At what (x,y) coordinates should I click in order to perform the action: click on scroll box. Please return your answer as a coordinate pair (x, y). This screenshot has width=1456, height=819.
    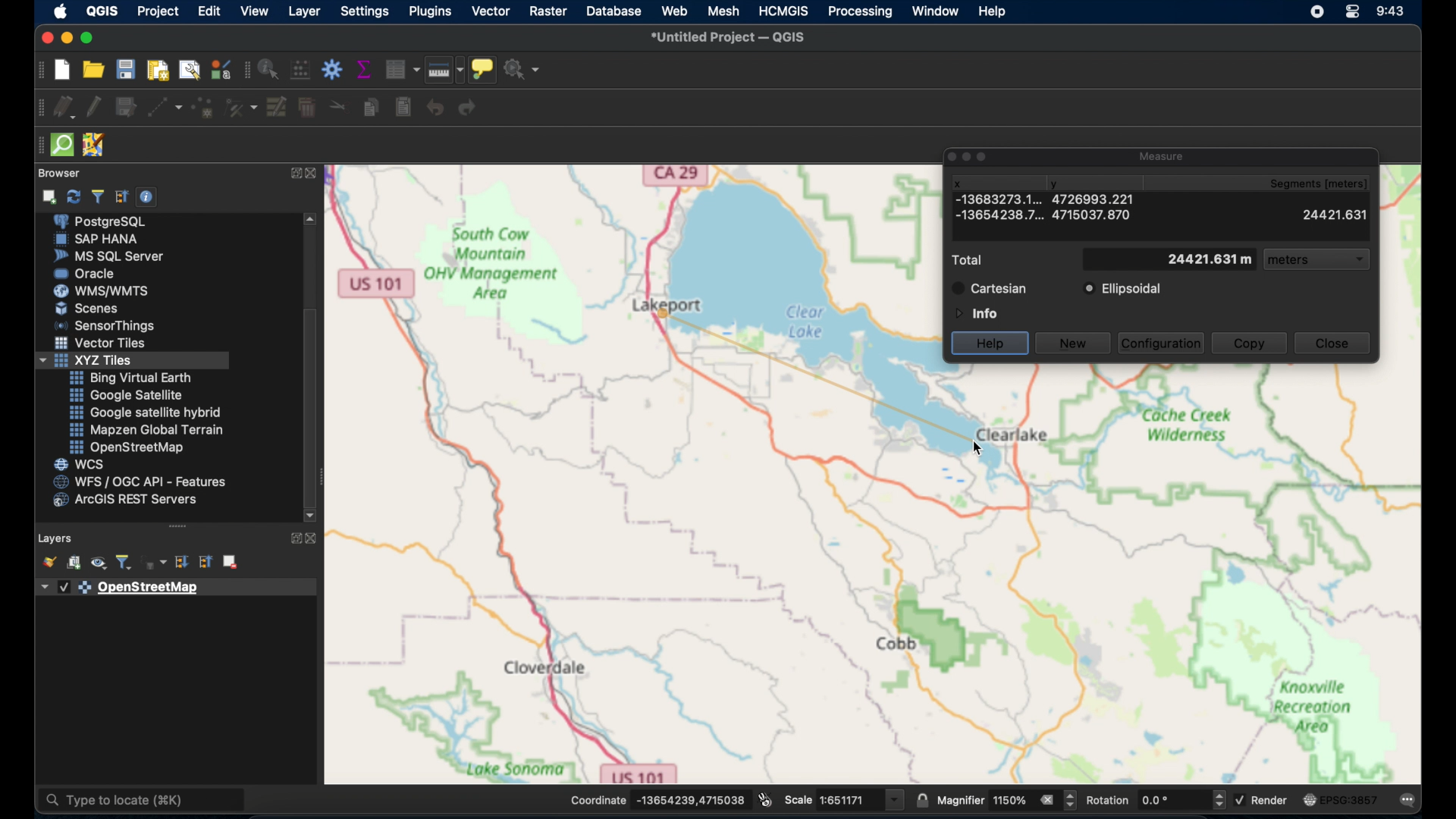
    Looking at the image, I should click on (312, 404).